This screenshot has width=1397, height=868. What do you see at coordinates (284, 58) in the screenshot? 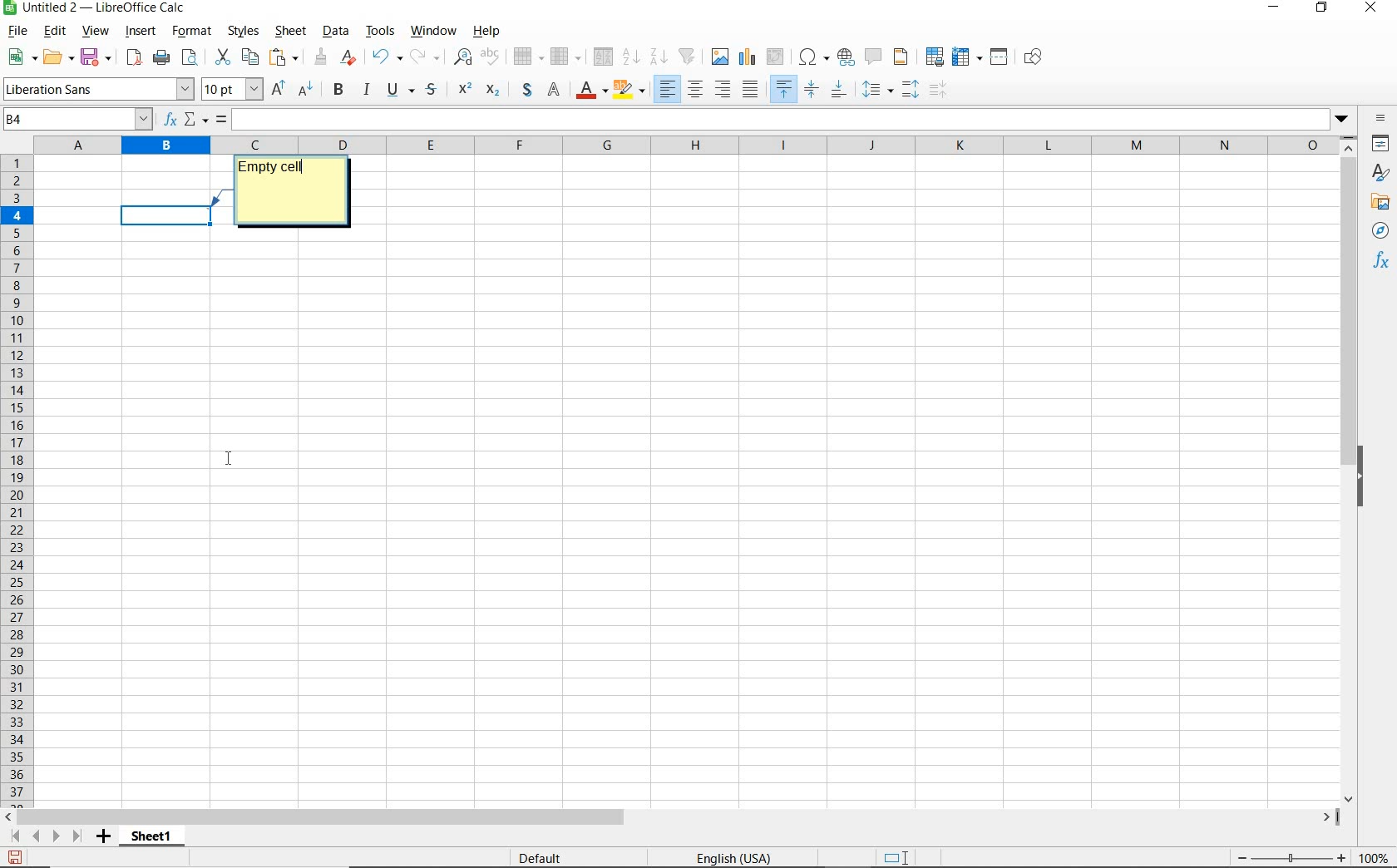
I see `paste` at bounding box center [284, 58].